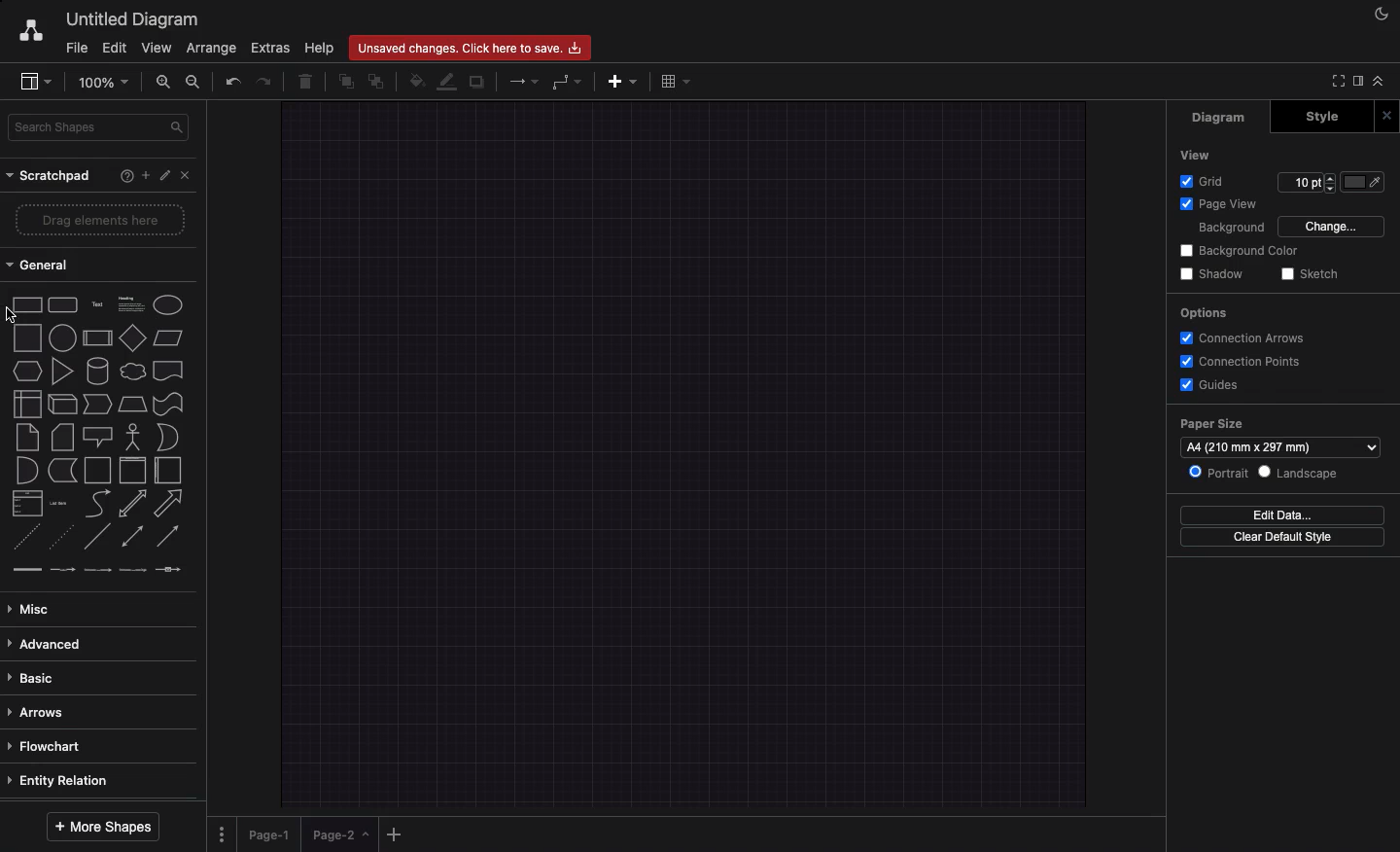 Image resolution: width=1400 pixels, height=852 pixels. What do you see at coordinates (1365, 182) in the screenshot?
I see `Fill color` at bounding box center [1365, 182].